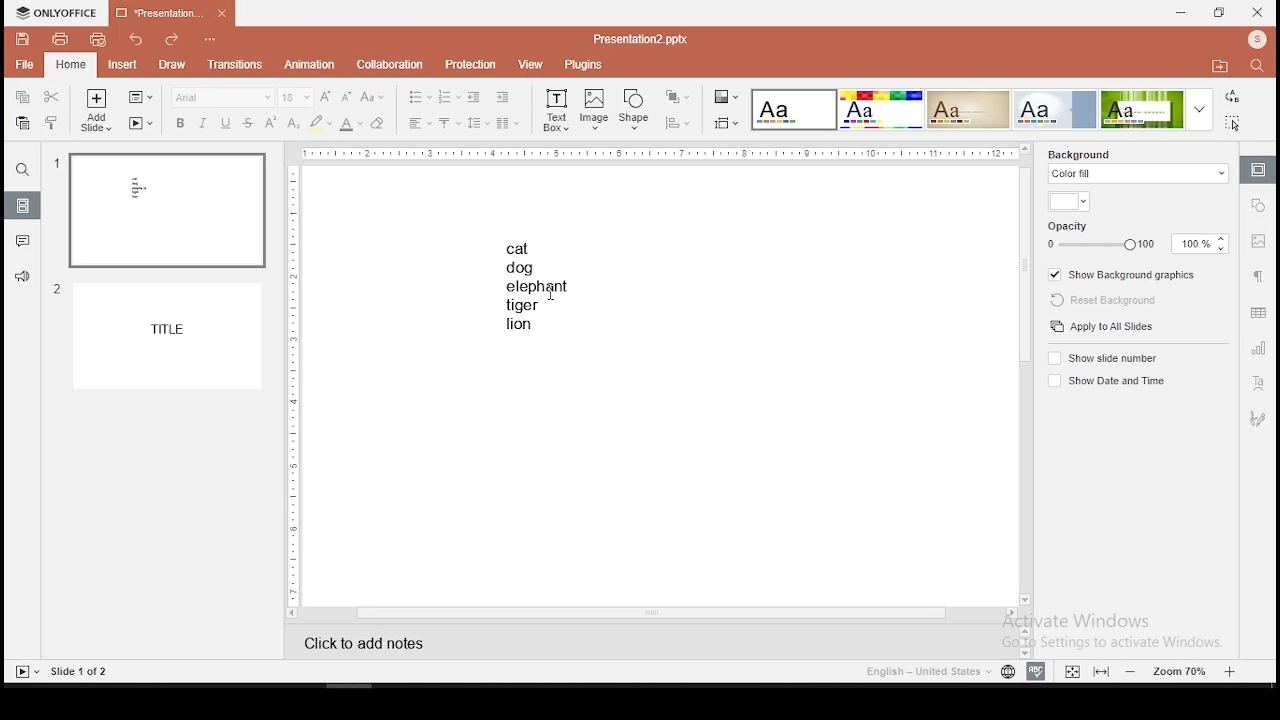 The width and height of the screenshot is (1280, 720). I want to click on fit to slide, so click(1100, 671).